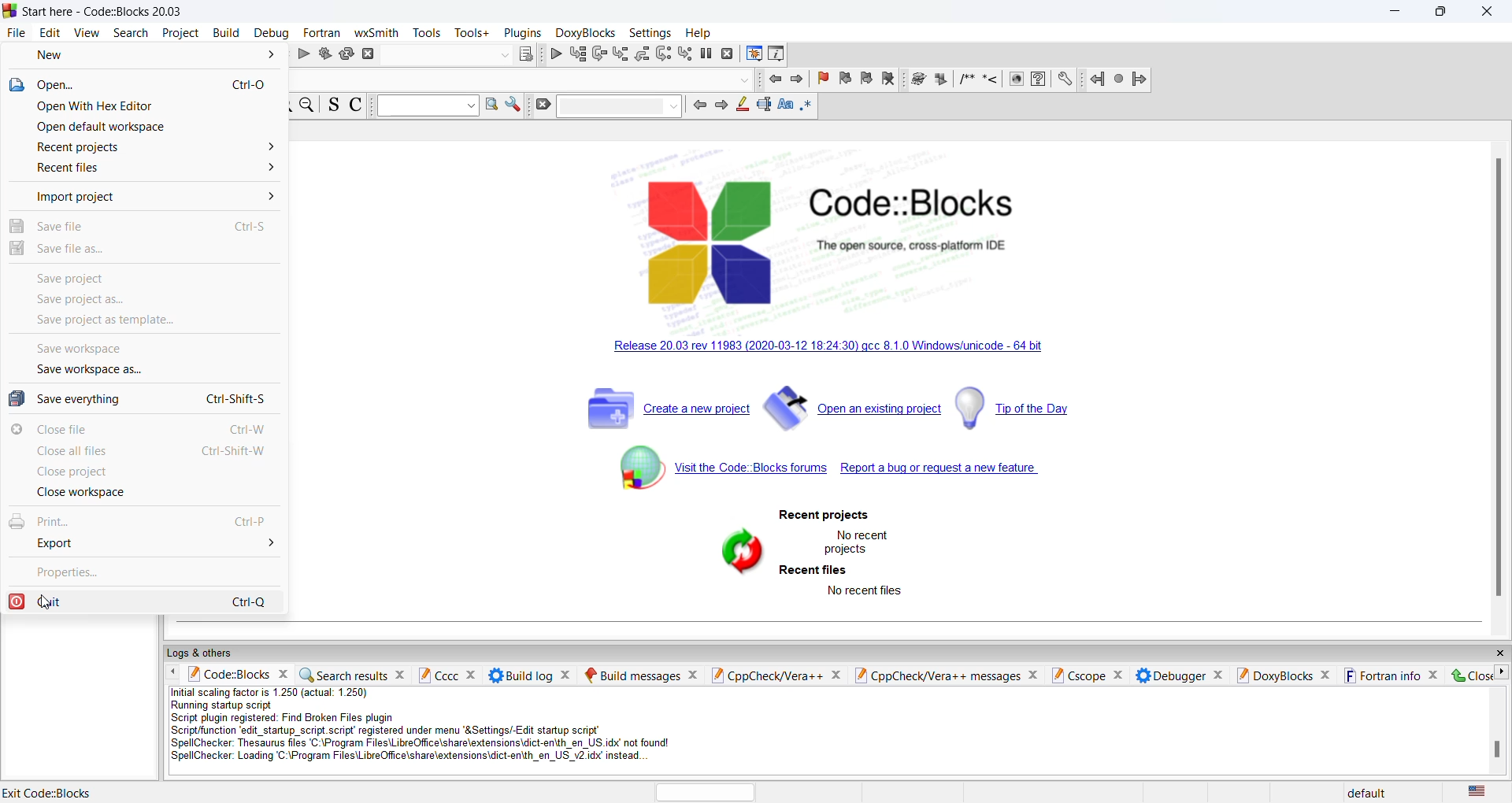 This screenshot has height=803, width=1512. I want to click on source comments, so click(335, 106).